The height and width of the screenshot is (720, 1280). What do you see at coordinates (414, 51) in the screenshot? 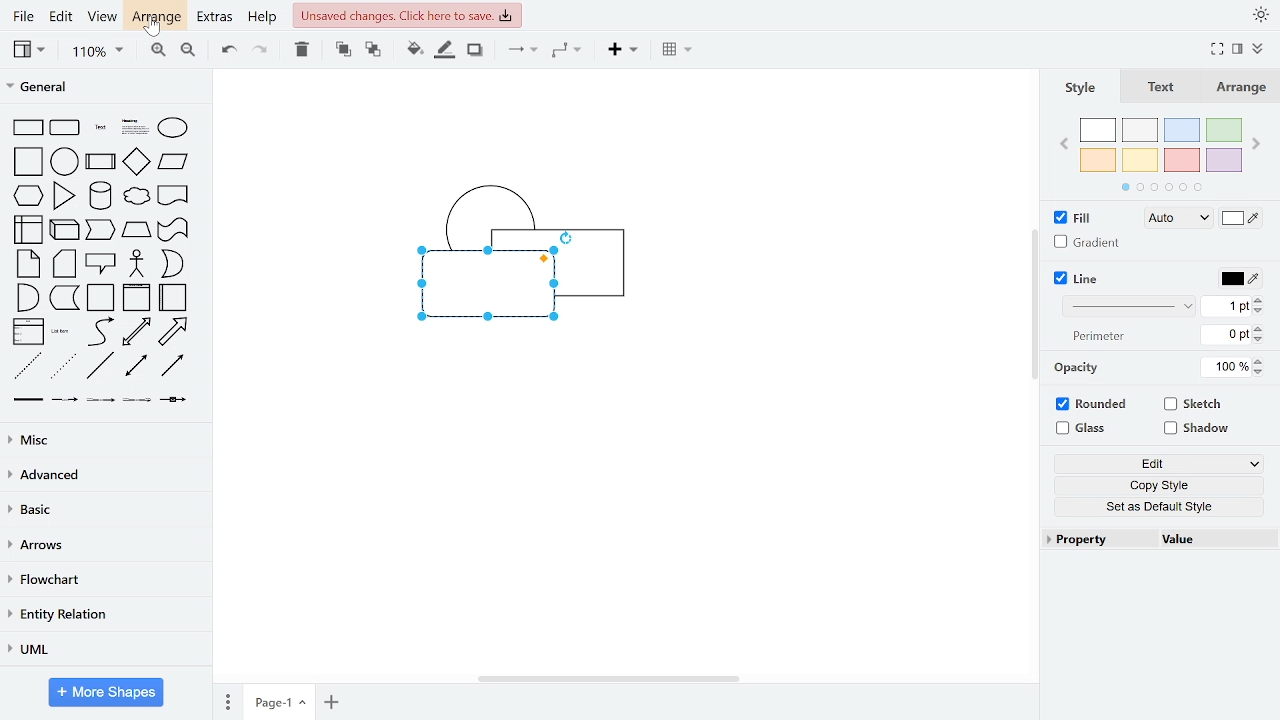
I see `fill color` at bounding box center [414, 51].